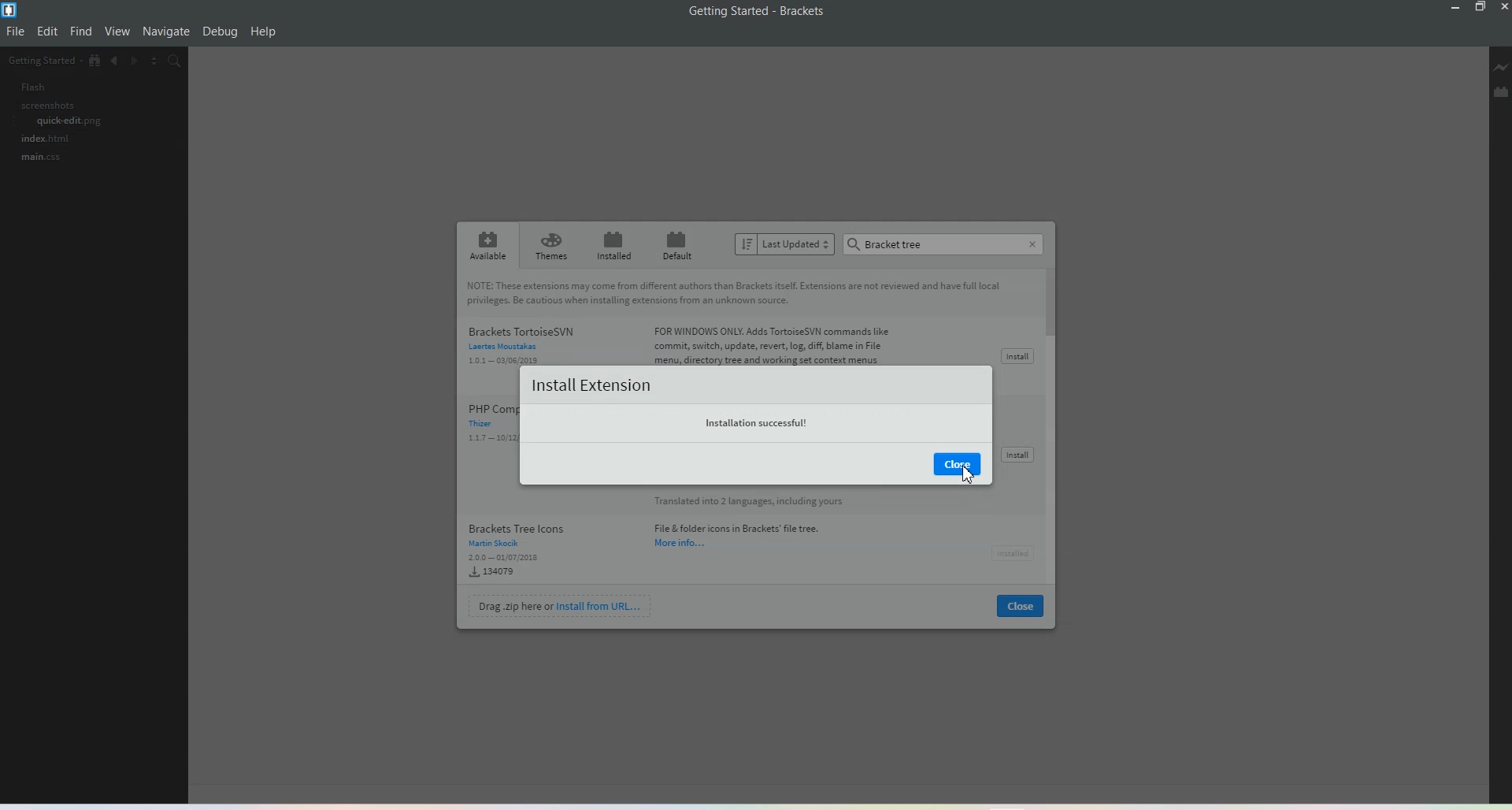  What do you see at coordinates (183, 63) in the screenshot?
I see `Find In Files` at bounding box center [183, 63].